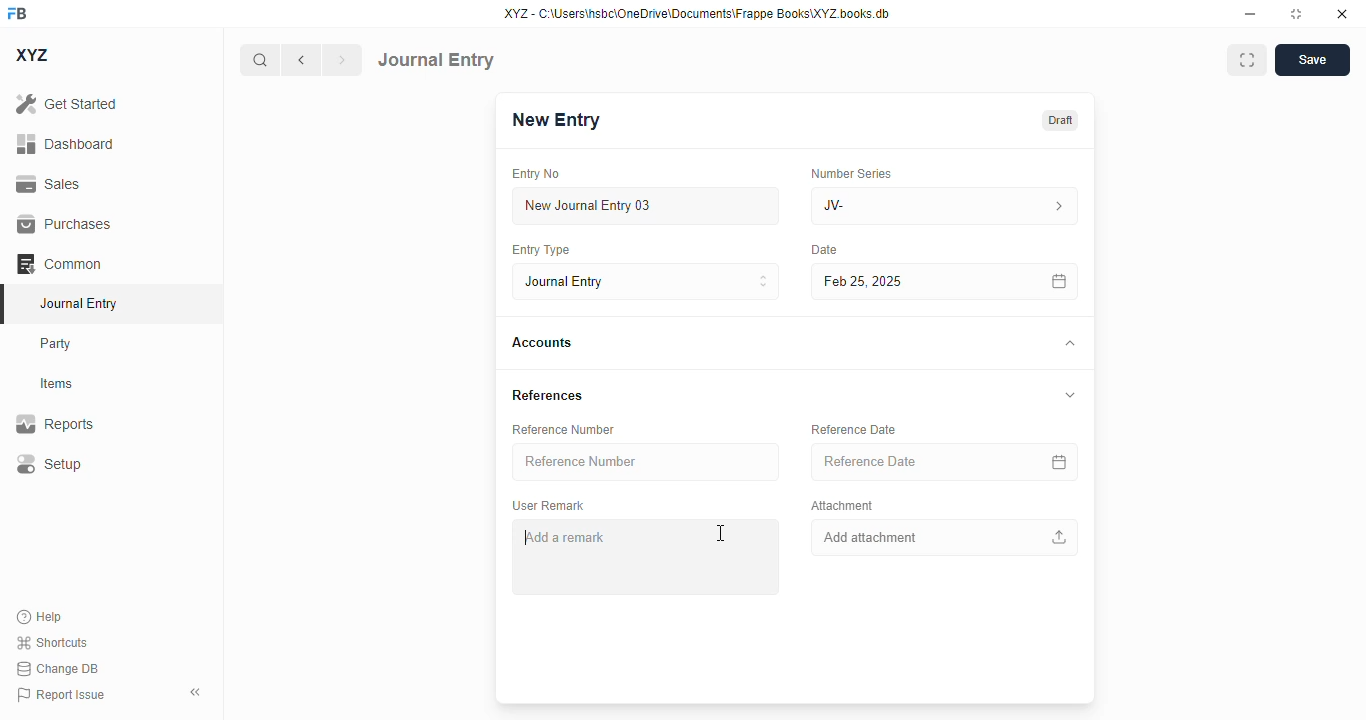  What do you see at coordinates (343, 60) in the screenshot?
I see `next` at bounding box center [343, 60].